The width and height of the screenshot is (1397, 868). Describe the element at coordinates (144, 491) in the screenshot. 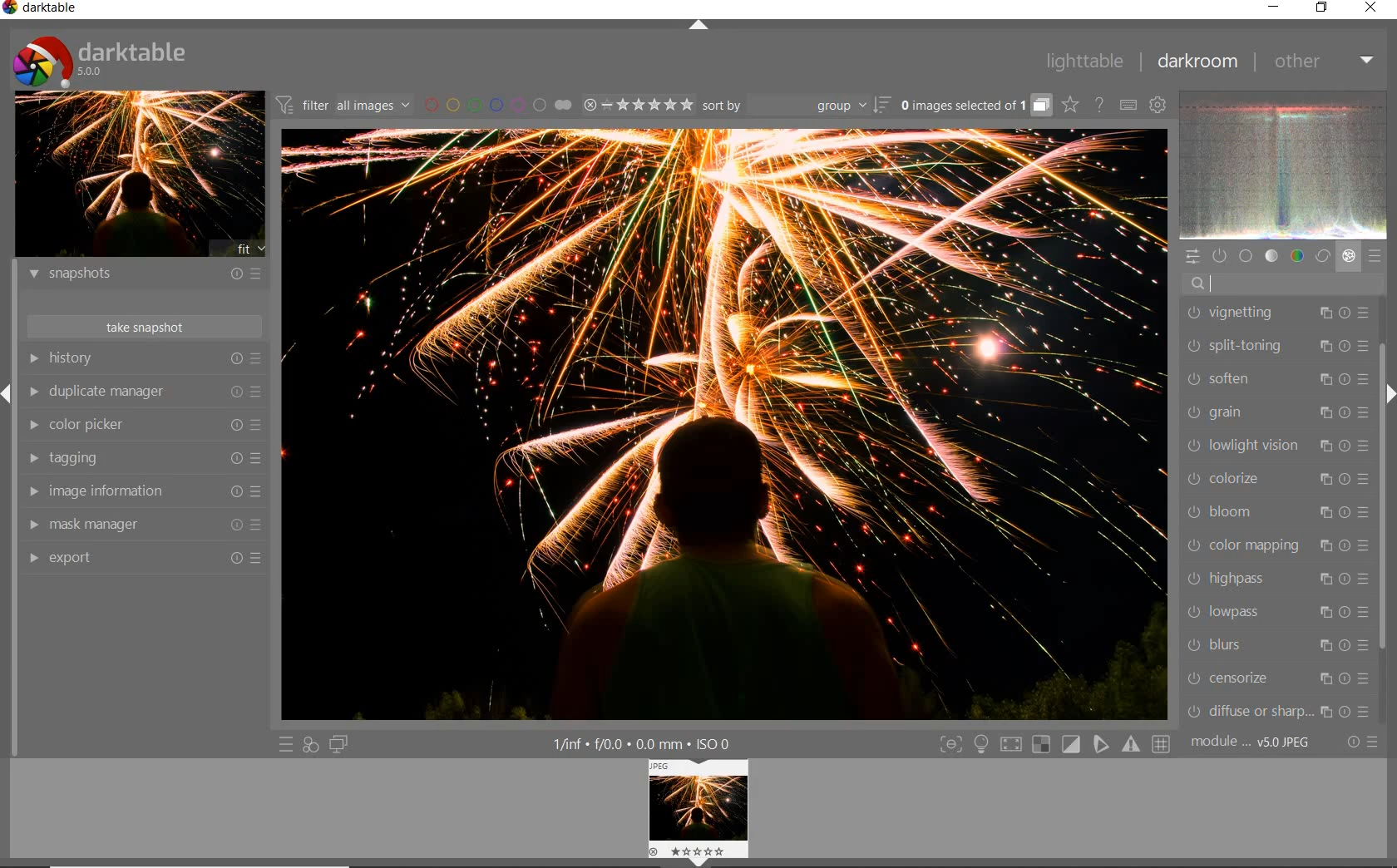

I see `image information` at that location.